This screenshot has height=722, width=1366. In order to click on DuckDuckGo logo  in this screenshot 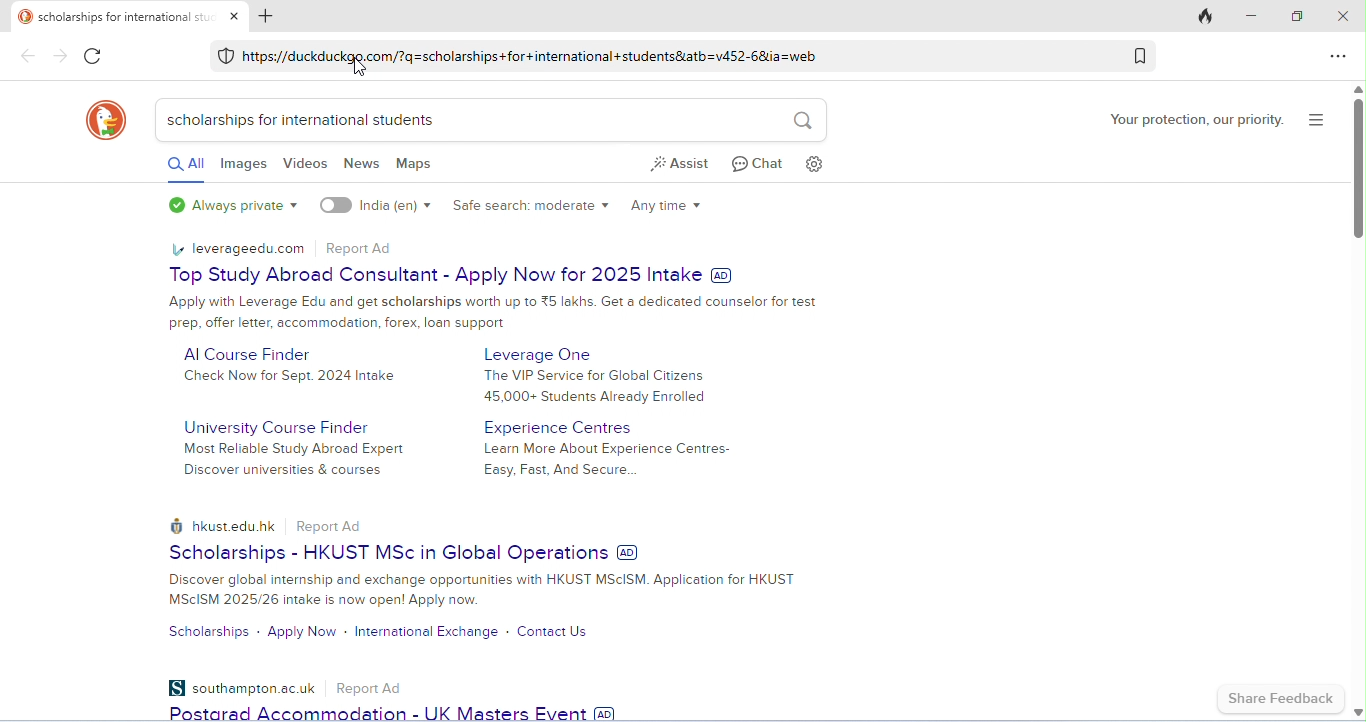, I will do `click(108, 118)`.